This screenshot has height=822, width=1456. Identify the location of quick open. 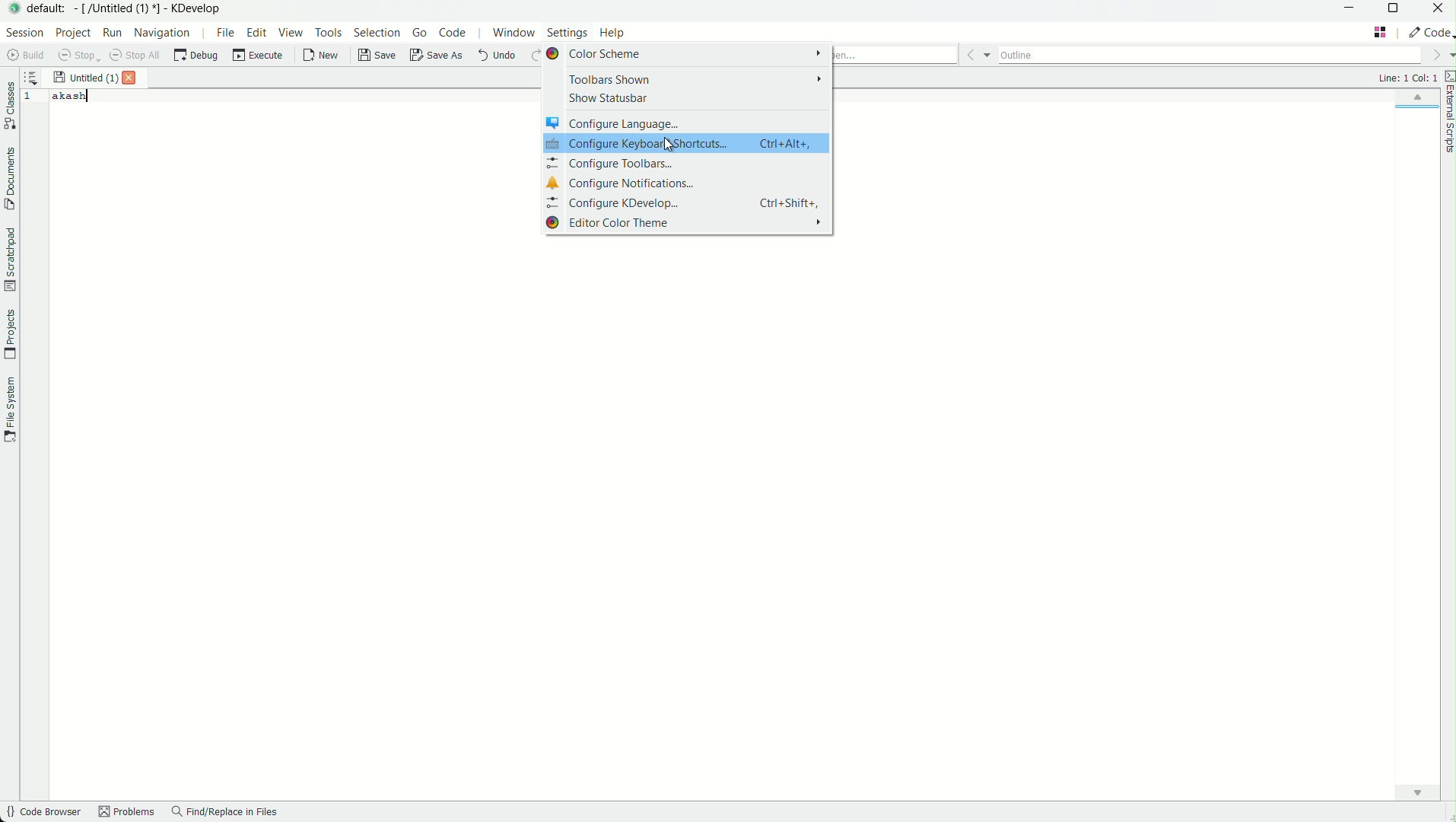
(895, 56).